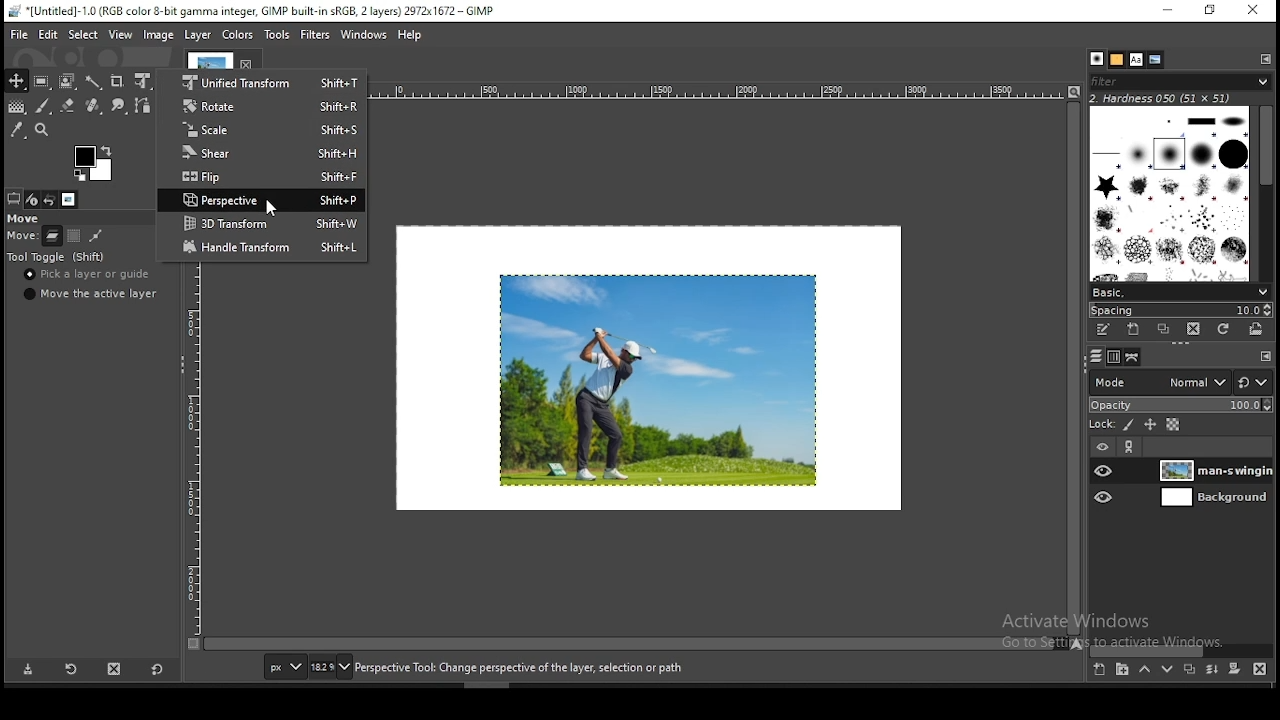  Describe the element at coordinates (332, 666) in the screenshot. I see `zoom status` at that location.